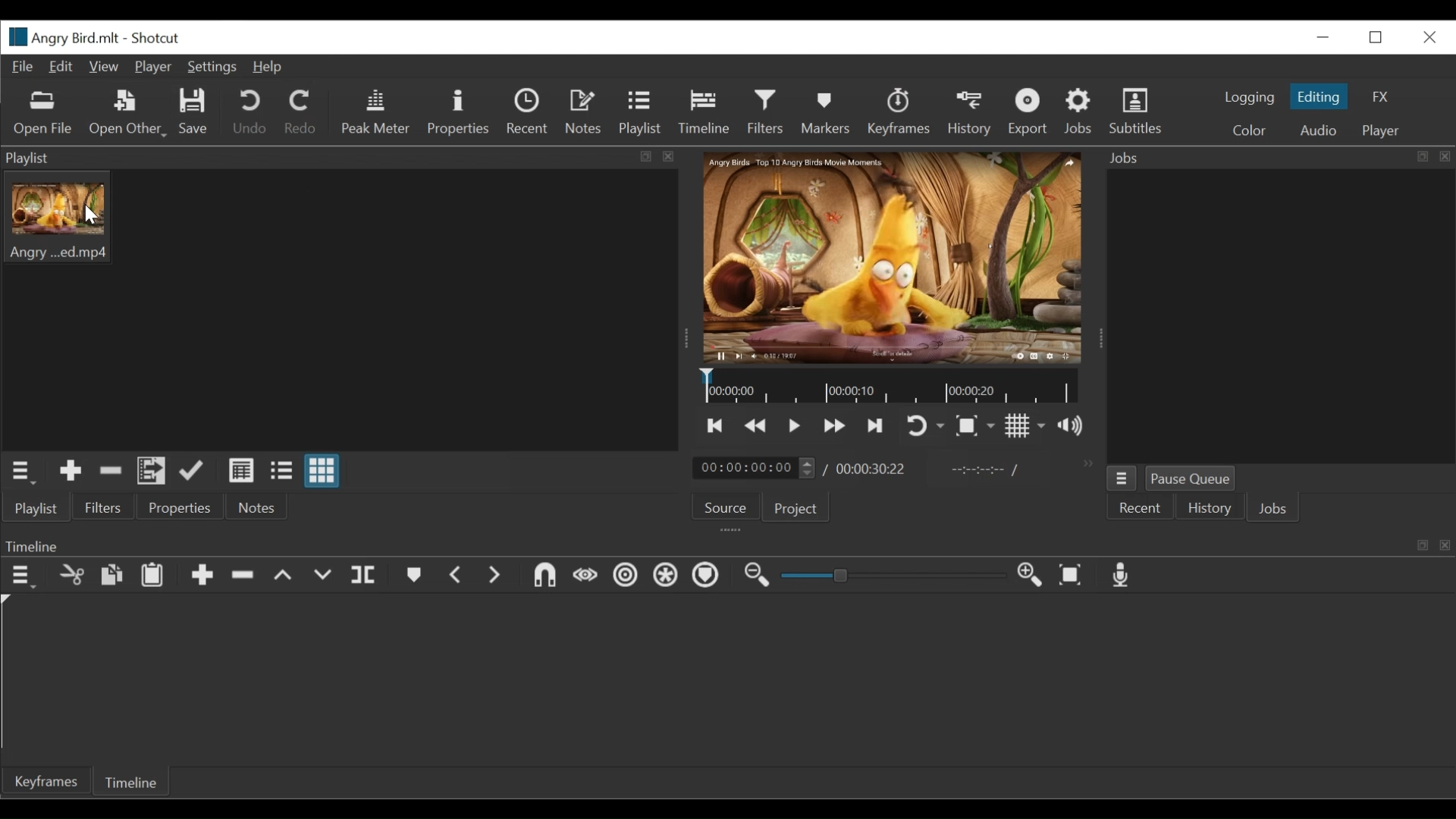 The width and height of the screenshot is (1456, 819). I want to click on Paste, so click(152, 575).